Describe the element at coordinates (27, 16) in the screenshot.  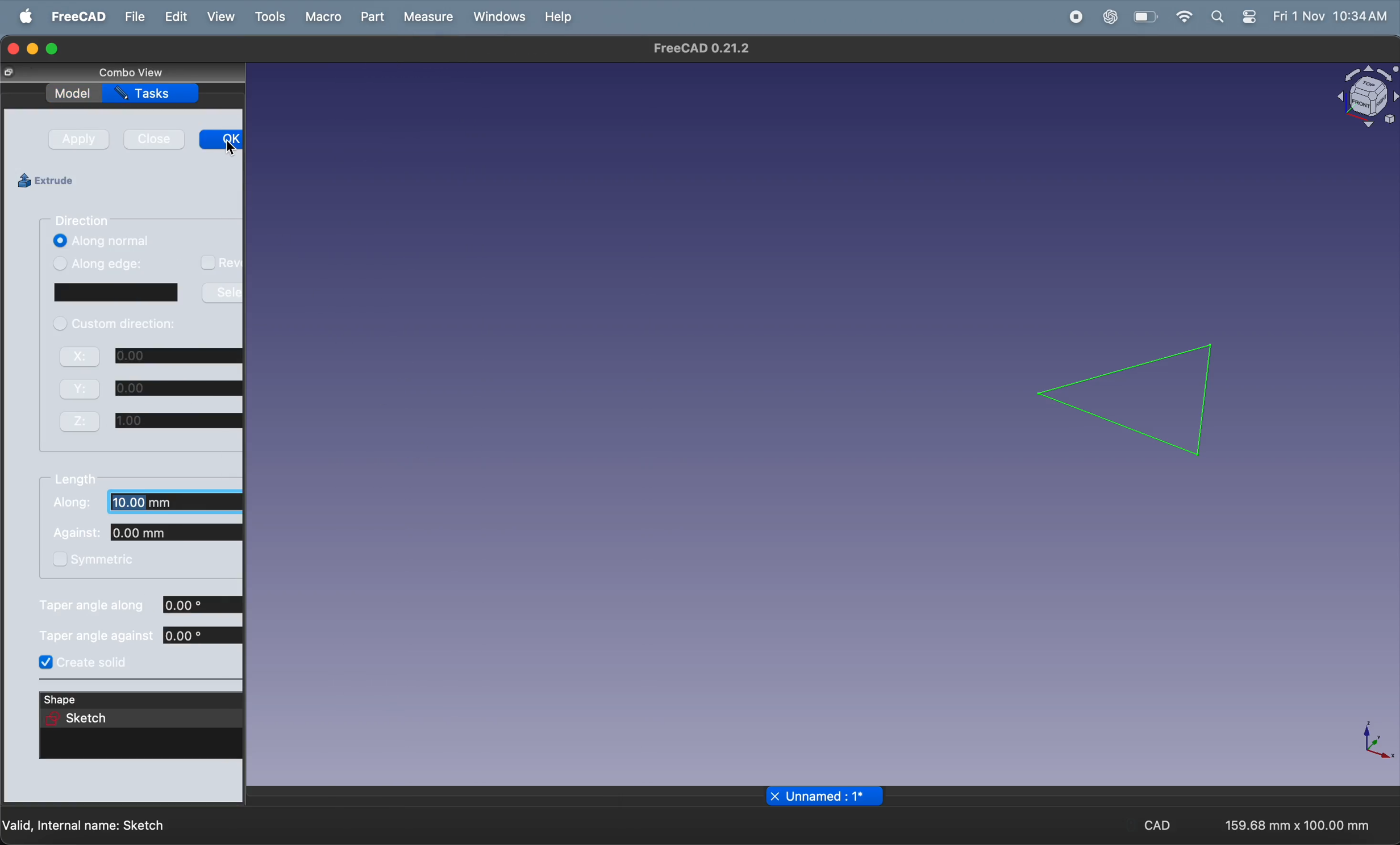
I see `apple menu` at that location.